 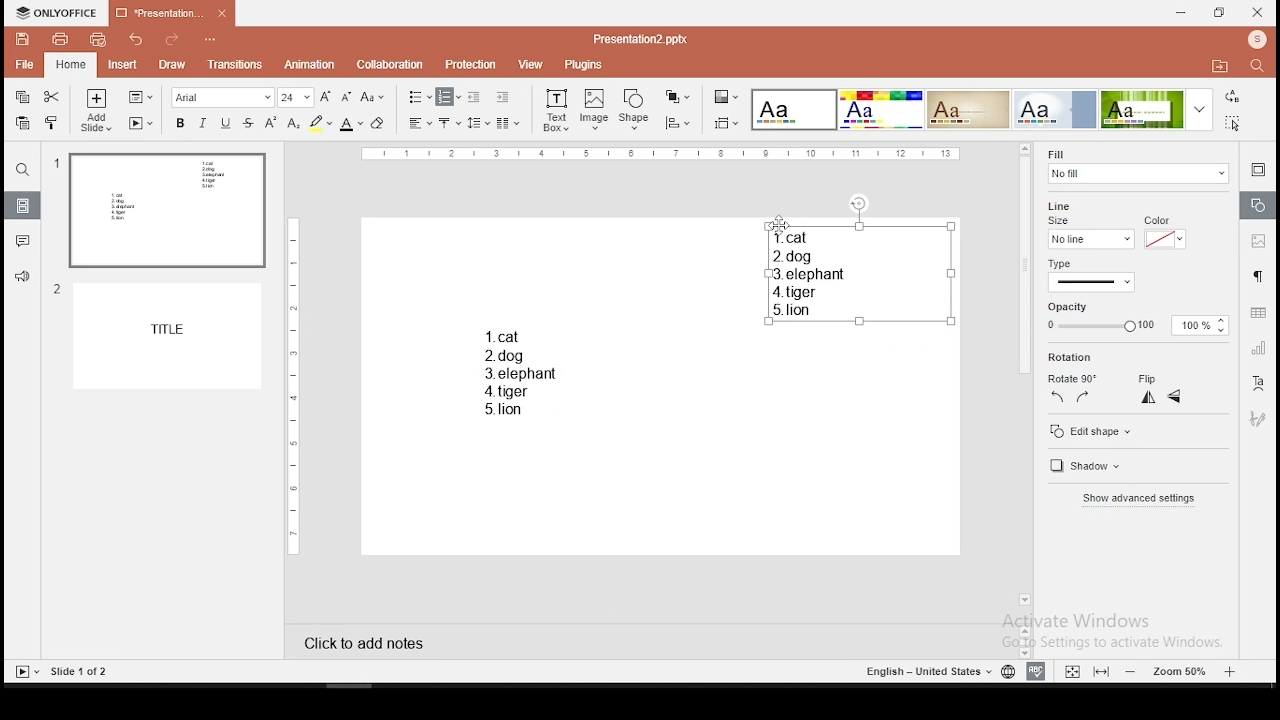 What do you see at coordinates (172, 337) in the screenshot?
I see `slide ` at bounding box center [172, 337].